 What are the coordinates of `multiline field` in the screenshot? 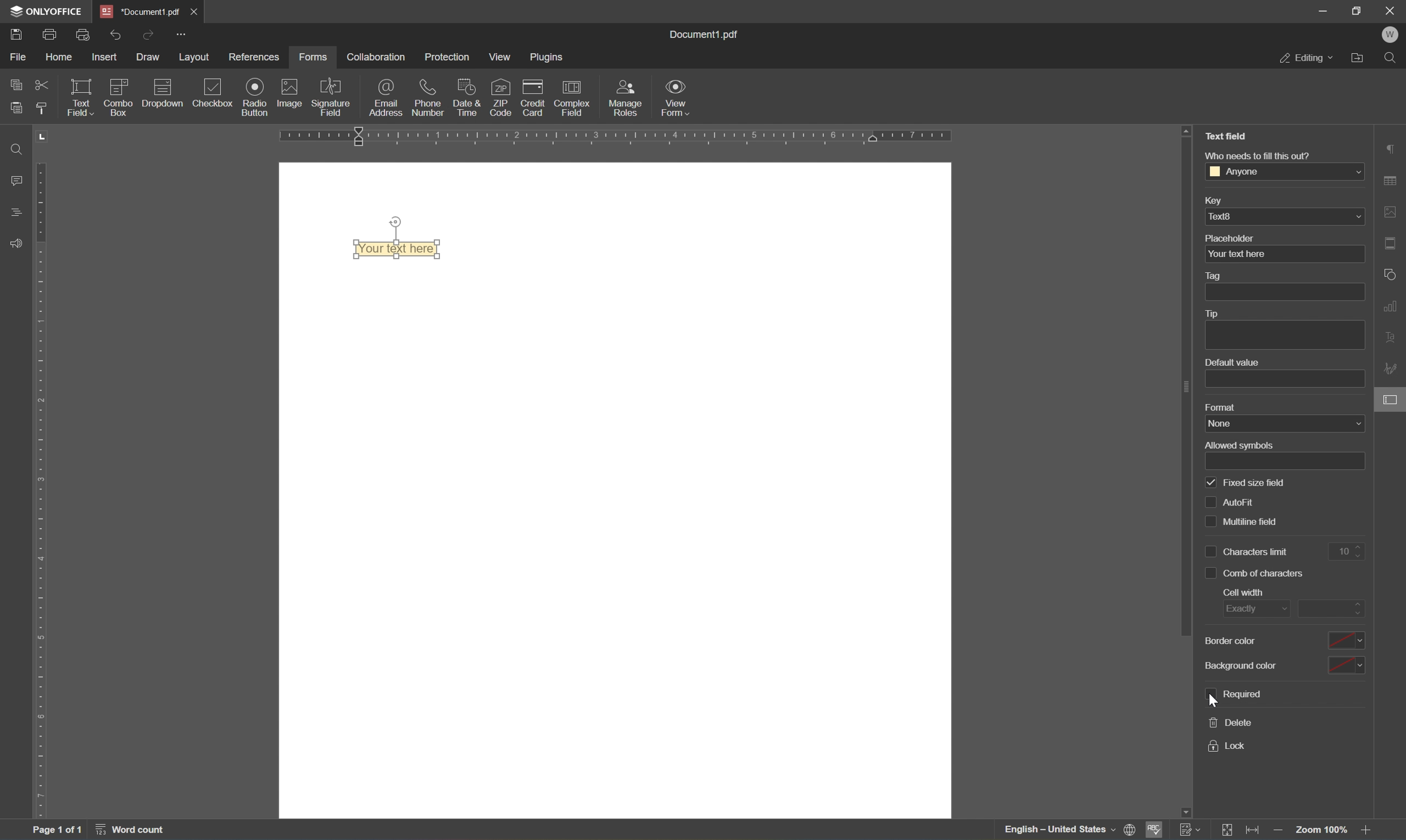 It's located at (1261, 523).